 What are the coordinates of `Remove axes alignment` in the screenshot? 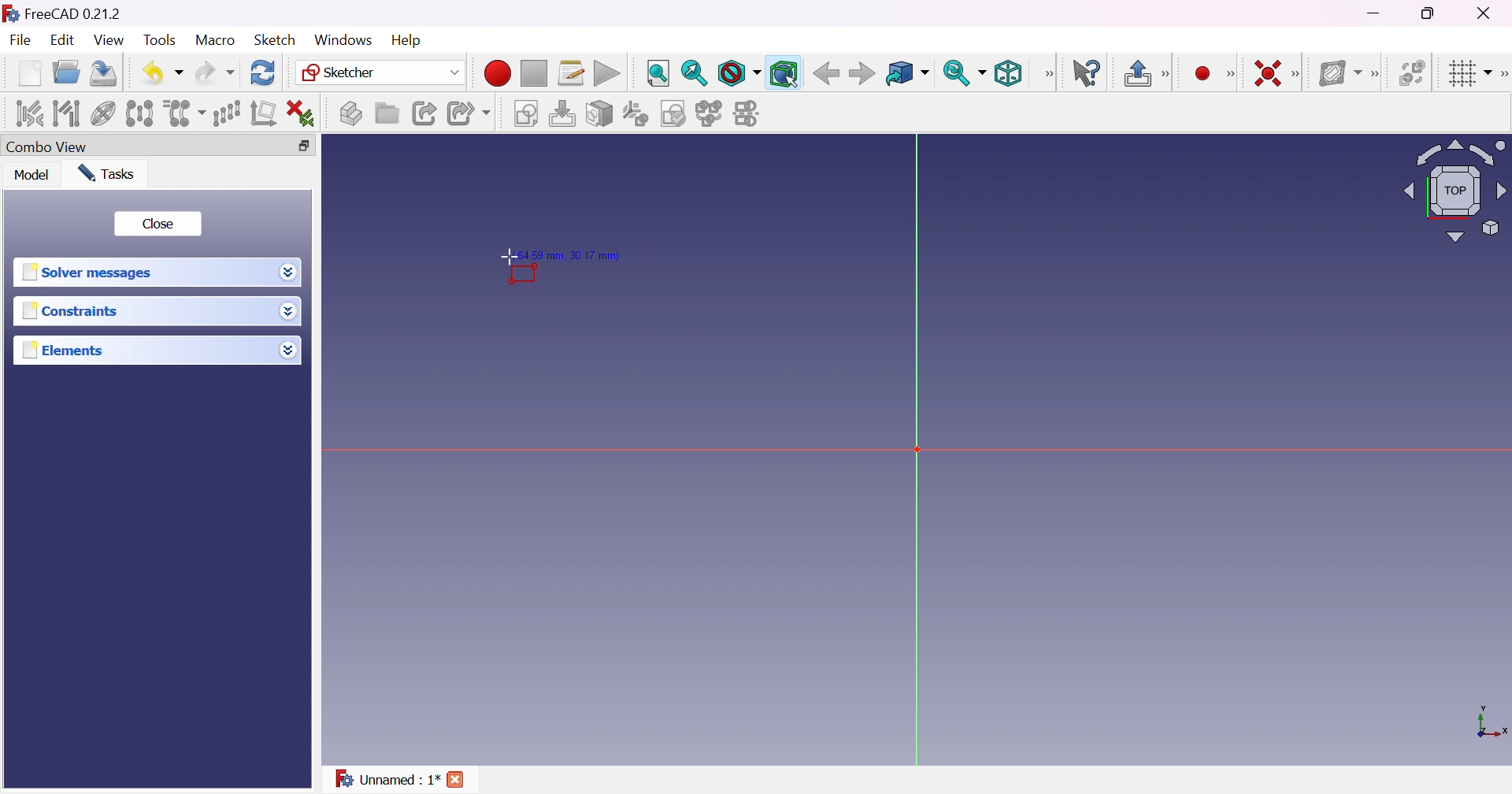 It's located at (262, 114).